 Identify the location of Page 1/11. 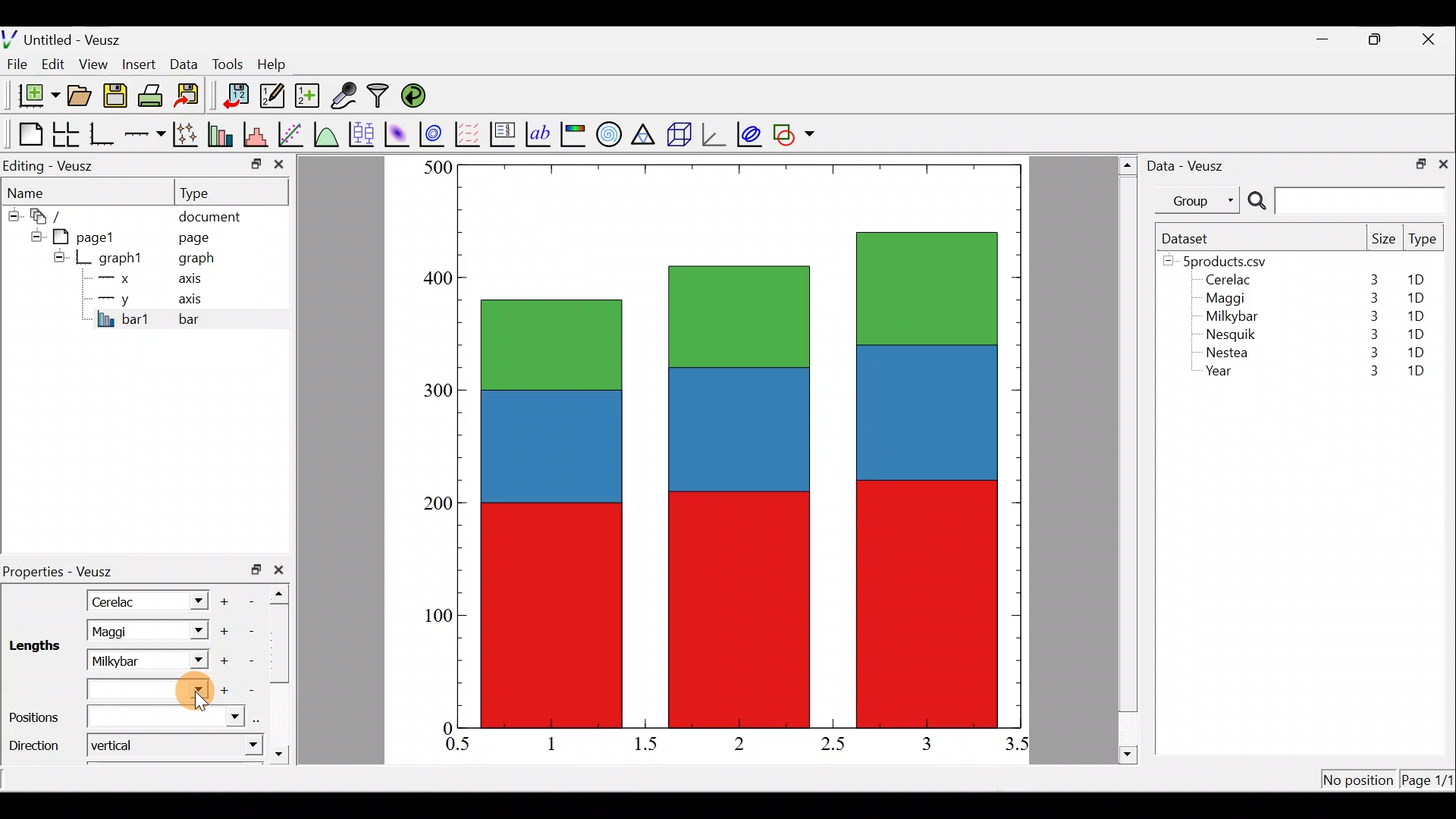
(1429, 783).